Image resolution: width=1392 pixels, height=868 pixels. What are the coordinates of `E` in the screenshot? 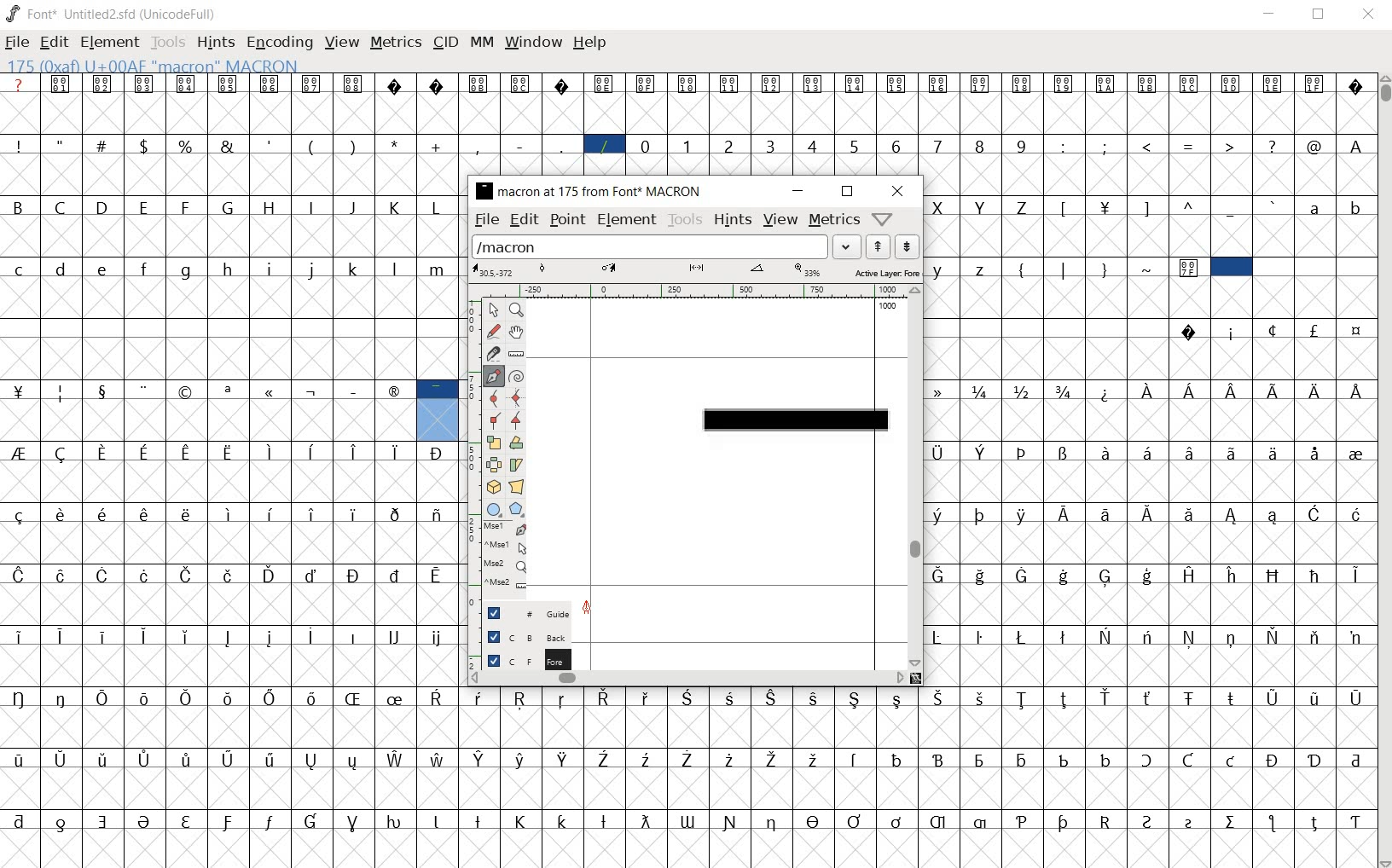 It's located at (145, 207).